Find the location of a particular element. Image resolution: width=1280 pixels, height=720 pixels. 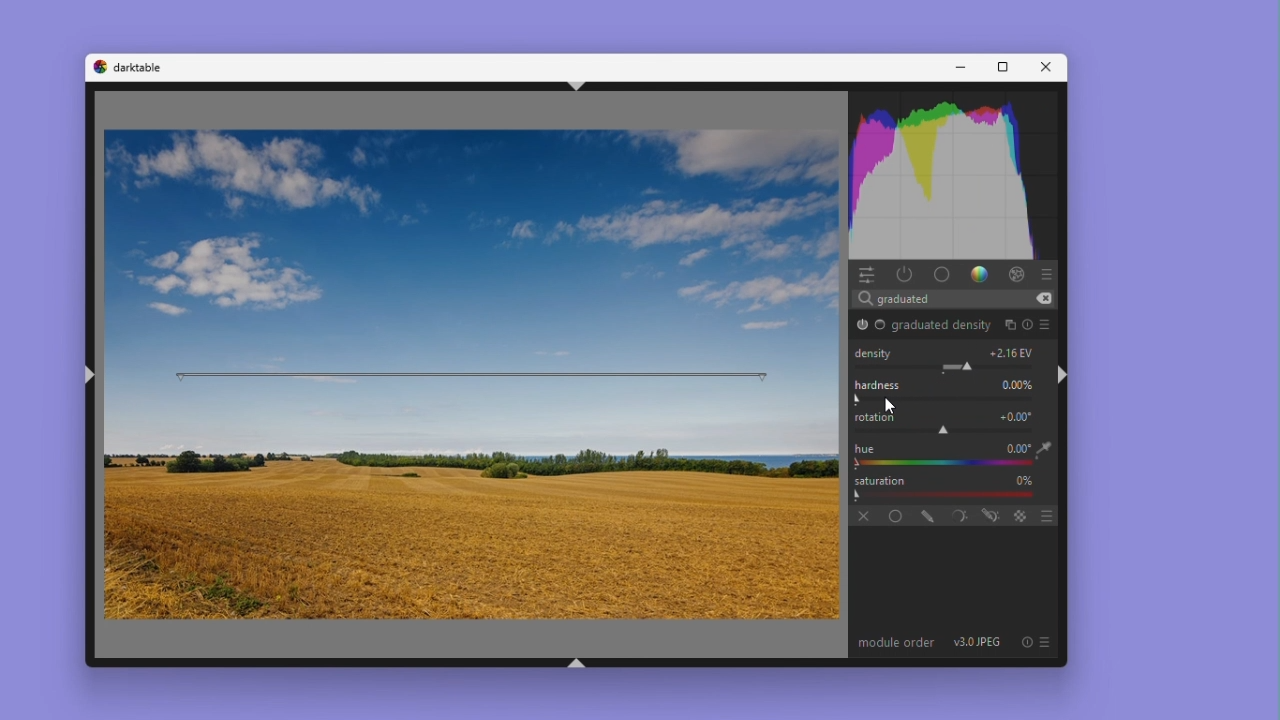

shift+ctrl+r  is located at coordinates (1064, 374).